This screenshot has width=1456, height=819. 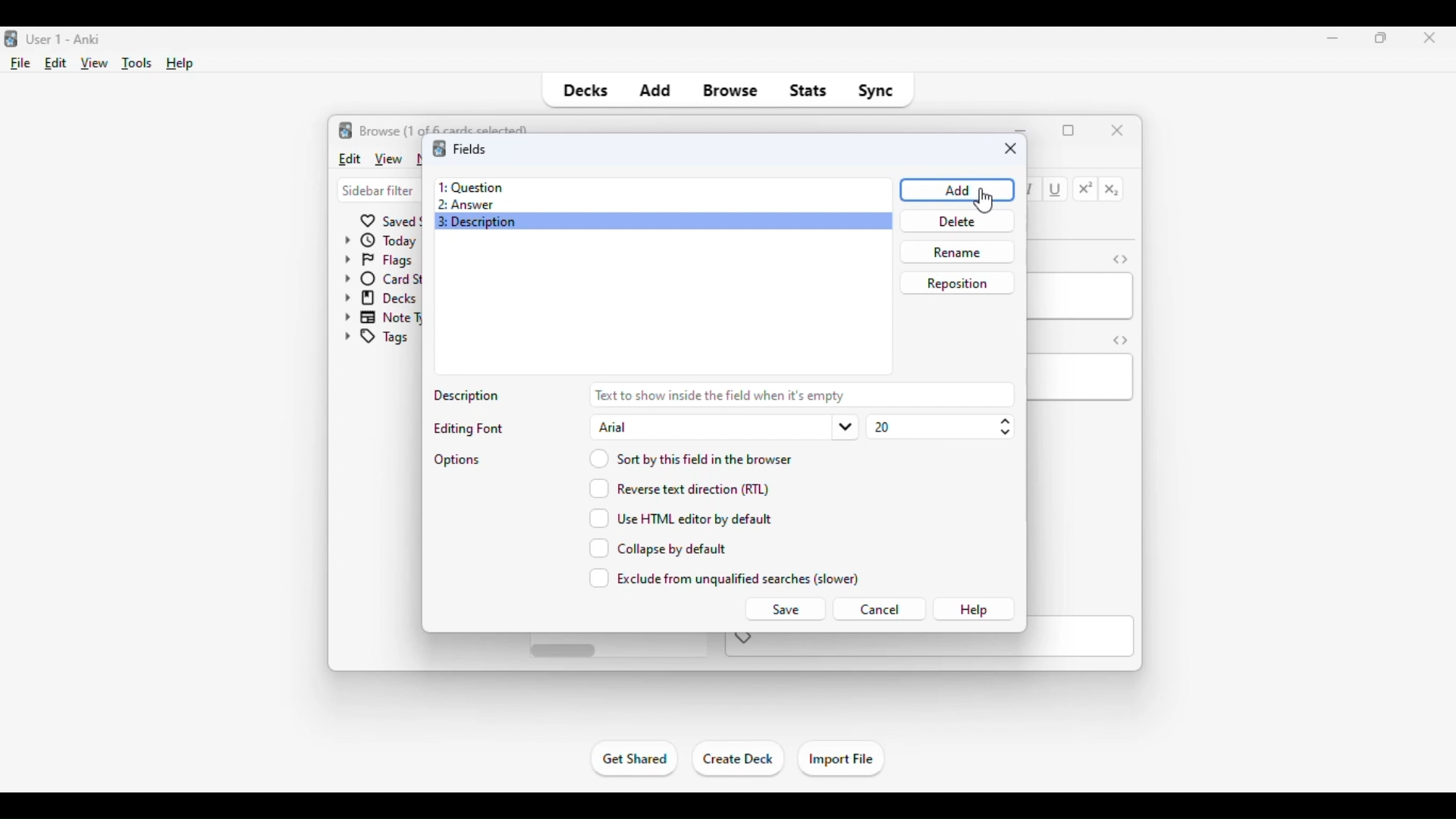 I want to click on decks, so click(x=584, y=91).